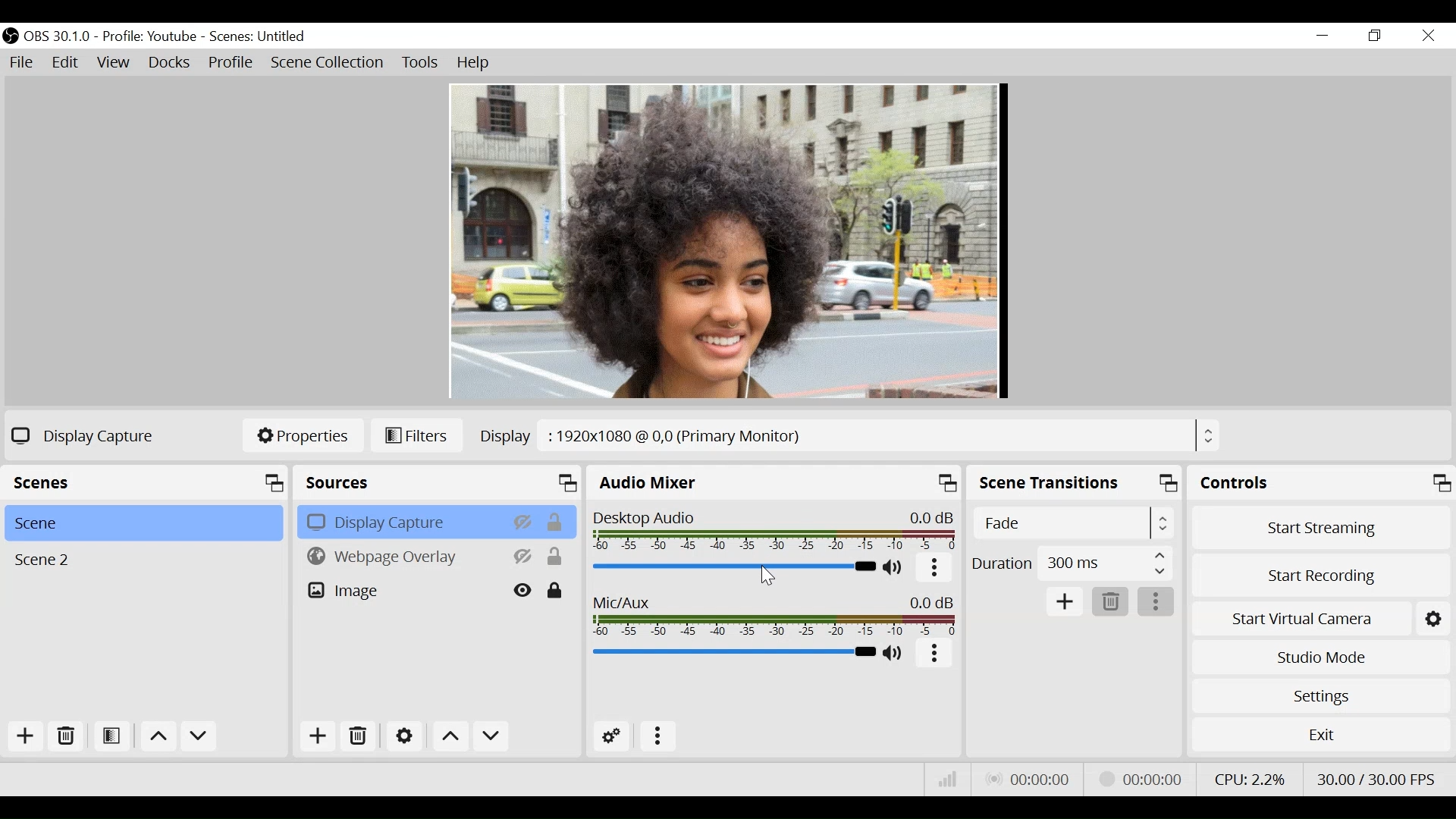  What do you see at coordinates (22, 63) in the screenshot?
I see `File` at bounding box center [22, 63].